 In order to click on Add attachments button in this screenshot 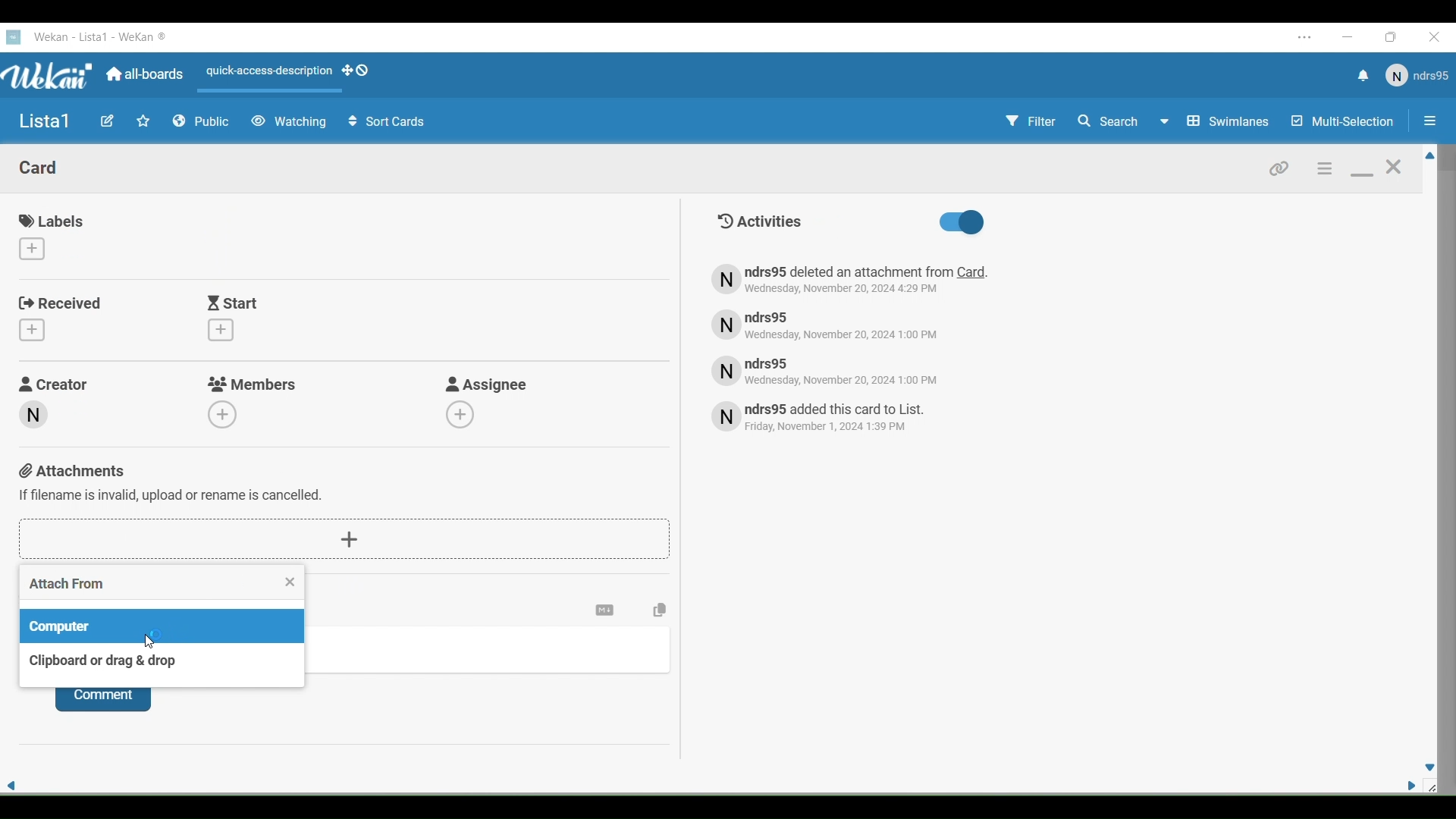, I will do `click(344, 540)`.